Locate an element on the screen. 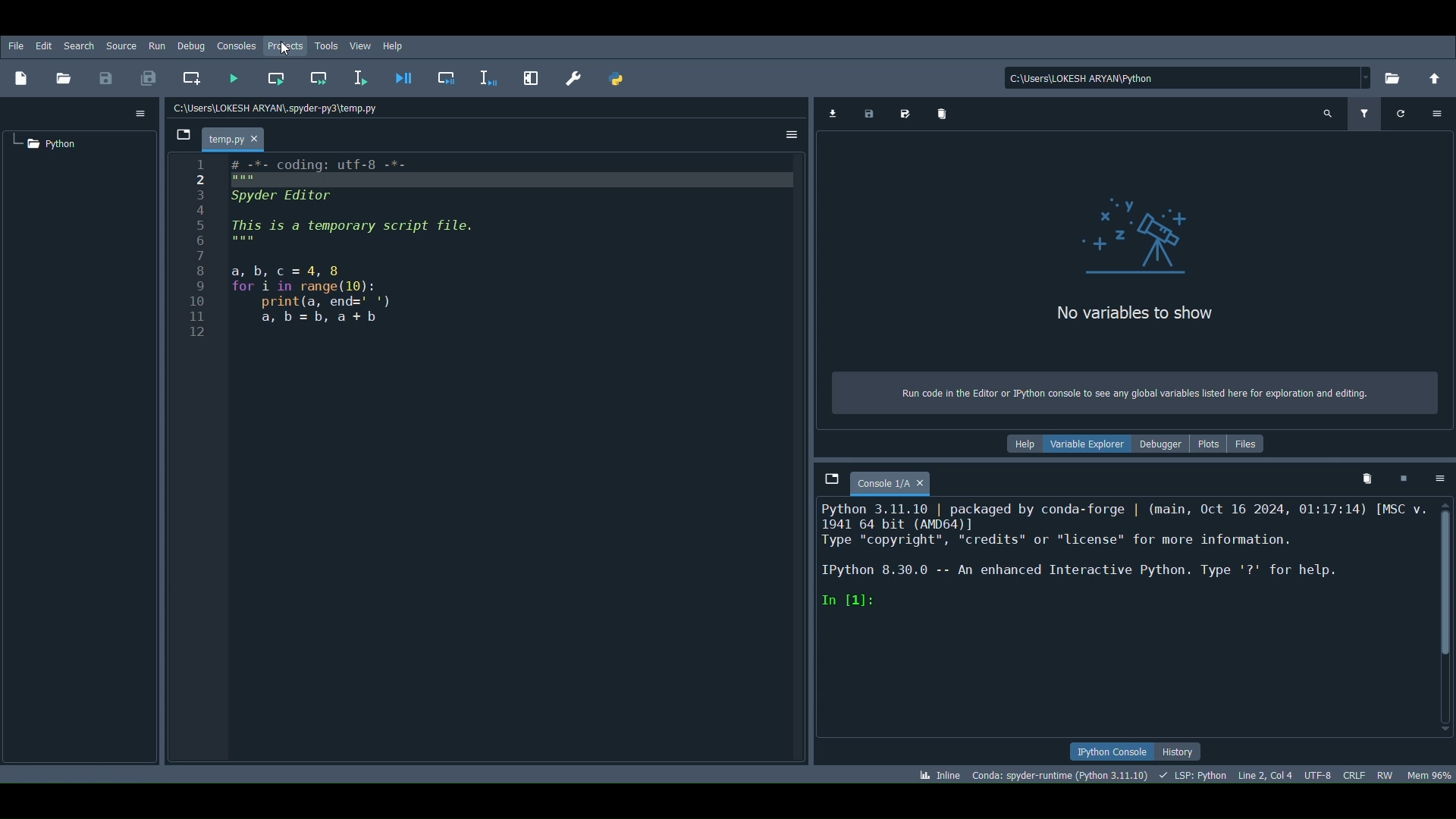 This screenshot has height=819, width=1456. File name is located at coordinates (236, 135).